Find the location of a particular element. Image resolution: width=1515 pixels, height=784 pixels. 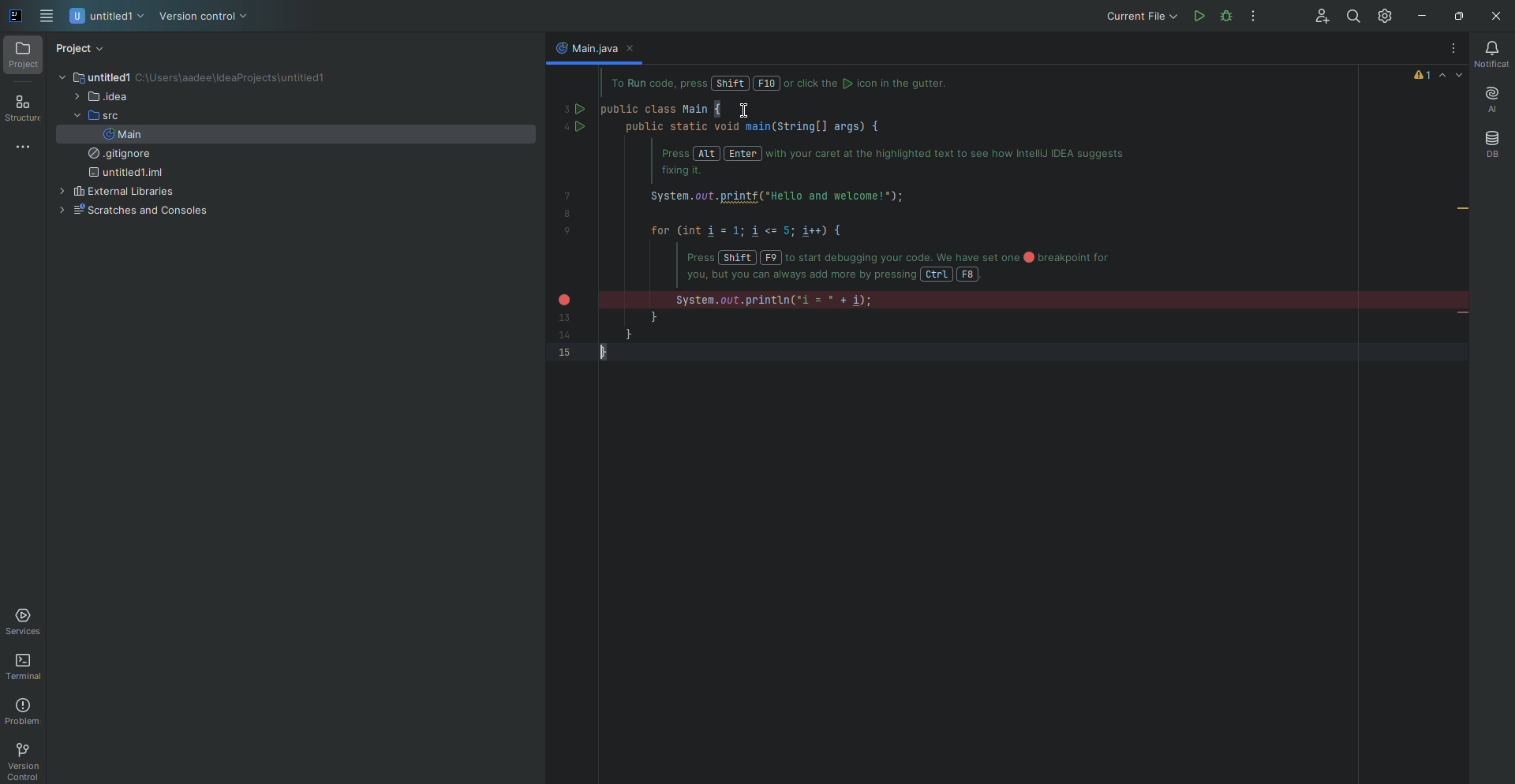

Project is located at coordinates (81, 49).